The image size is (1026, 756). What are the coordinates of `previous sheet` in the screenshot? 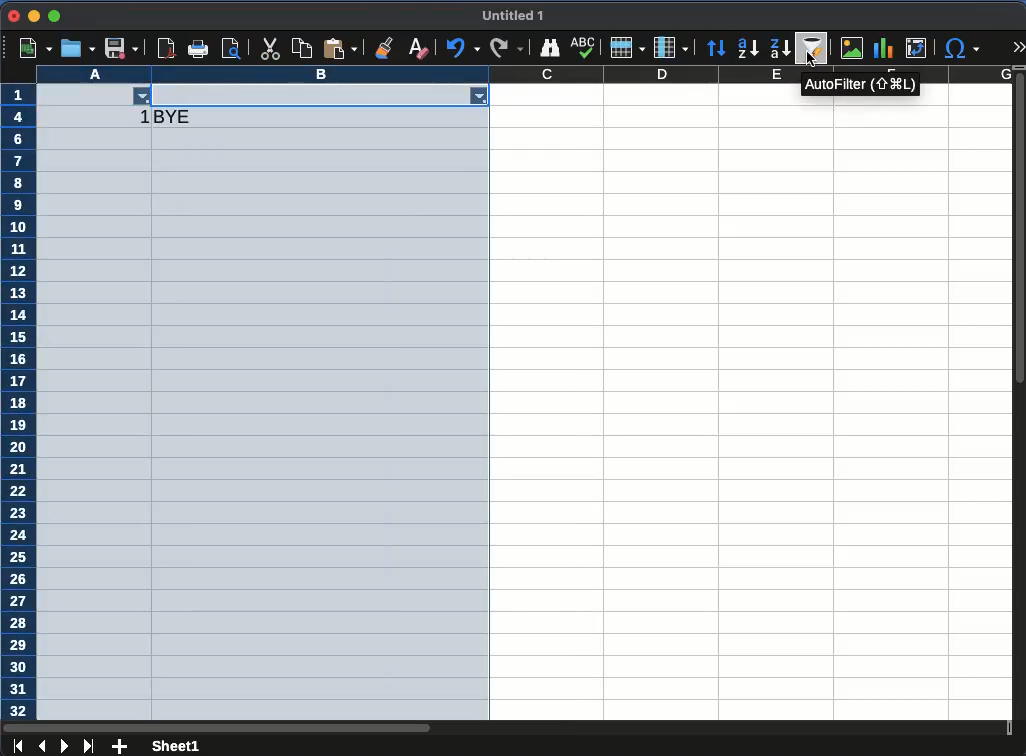 It's located at (42, 745).